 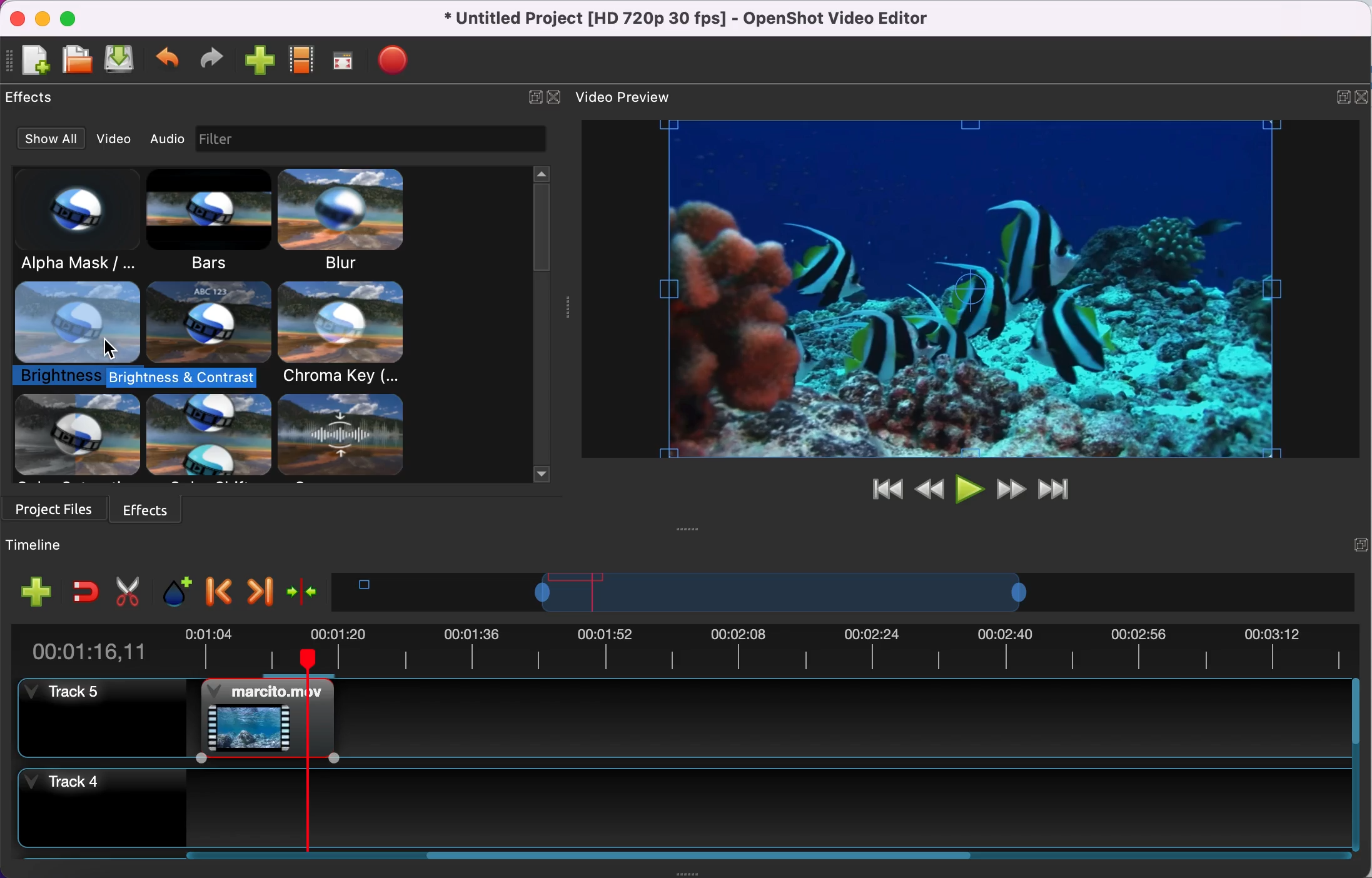 What do you see at coordinates (258, 62) in the screenshot?
I see `import file` at bounding box center [258, 62].